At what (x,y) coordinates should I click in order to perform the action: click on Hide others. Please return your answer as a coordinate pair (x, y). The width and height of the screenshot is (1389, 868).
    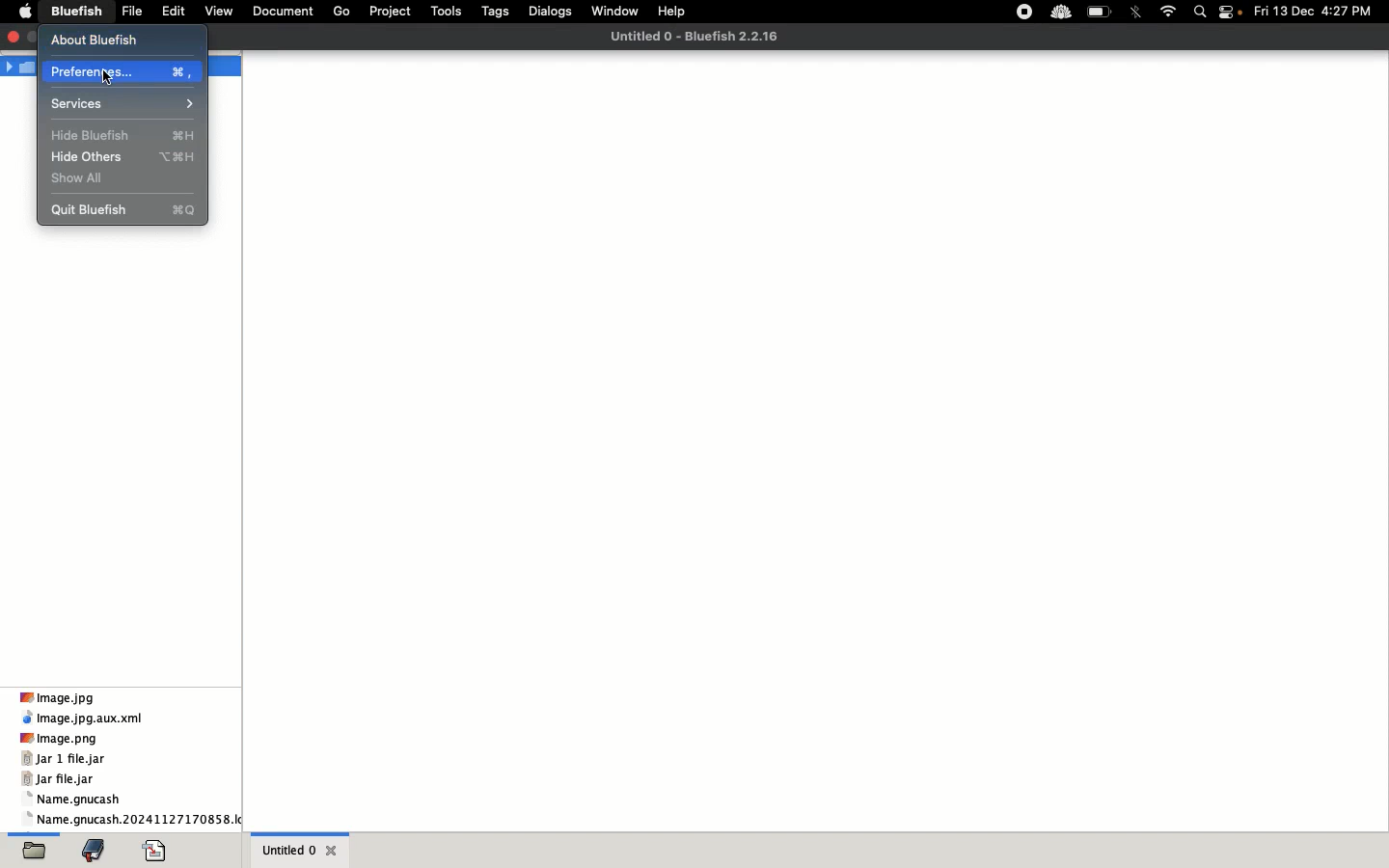
    Looking at the image, I should click on (123, 157).